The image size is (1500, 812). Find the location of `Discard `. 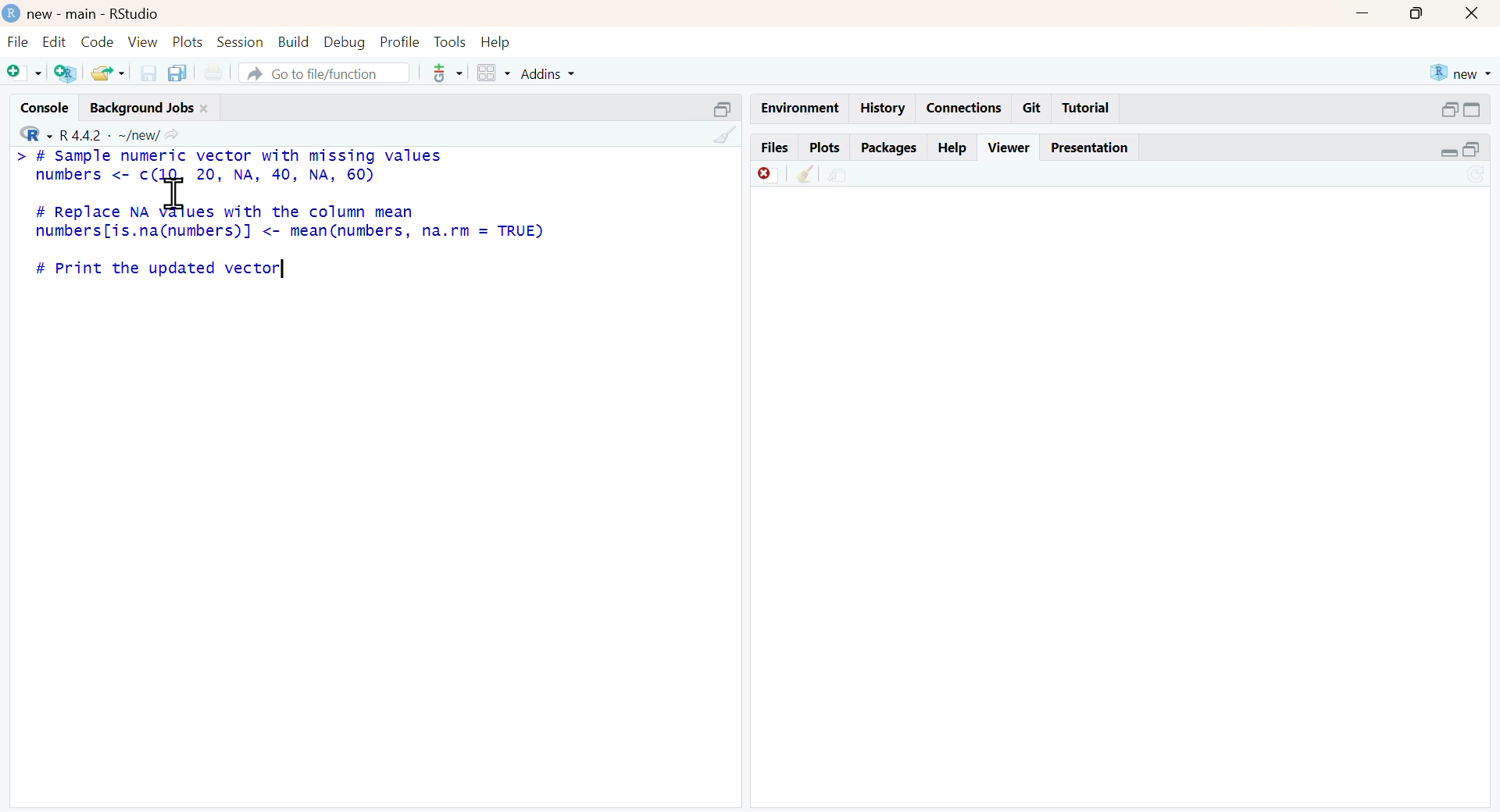

Discard  is located at coordinates (768, 175).